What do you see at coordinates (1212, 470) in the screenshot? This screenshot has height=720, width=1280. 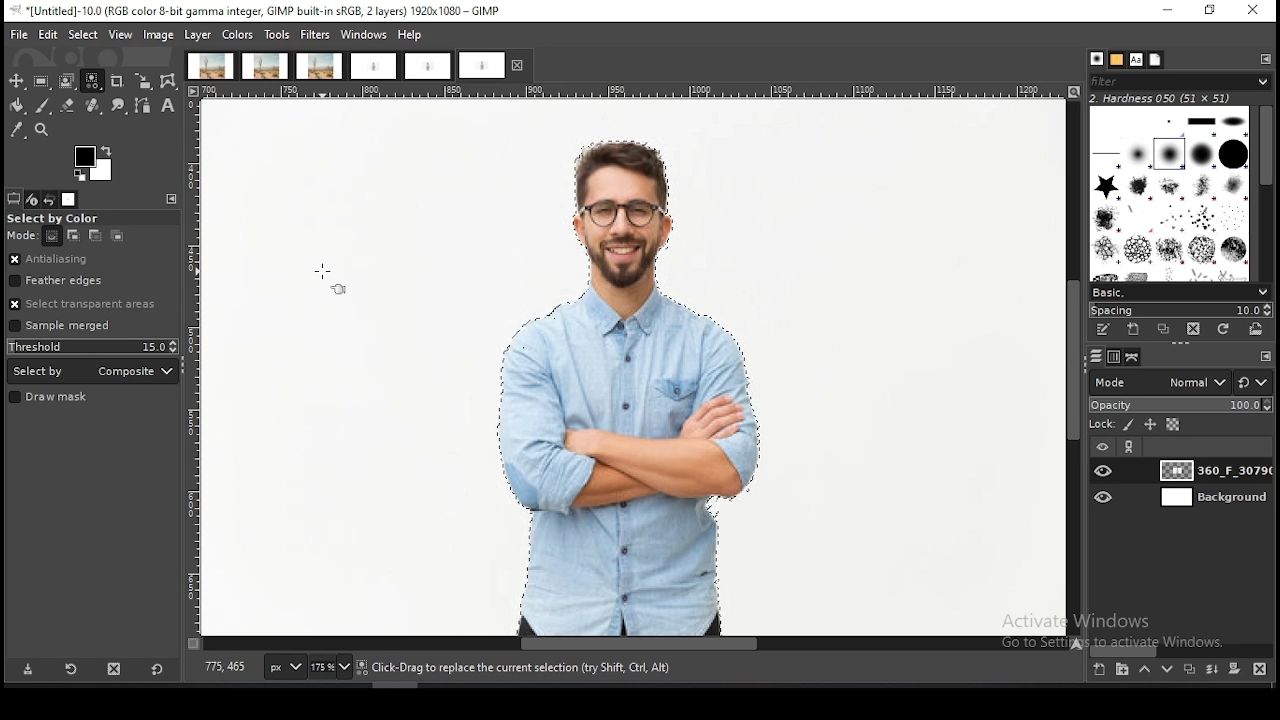 I see `layer` at bounding box center [1212, 470].